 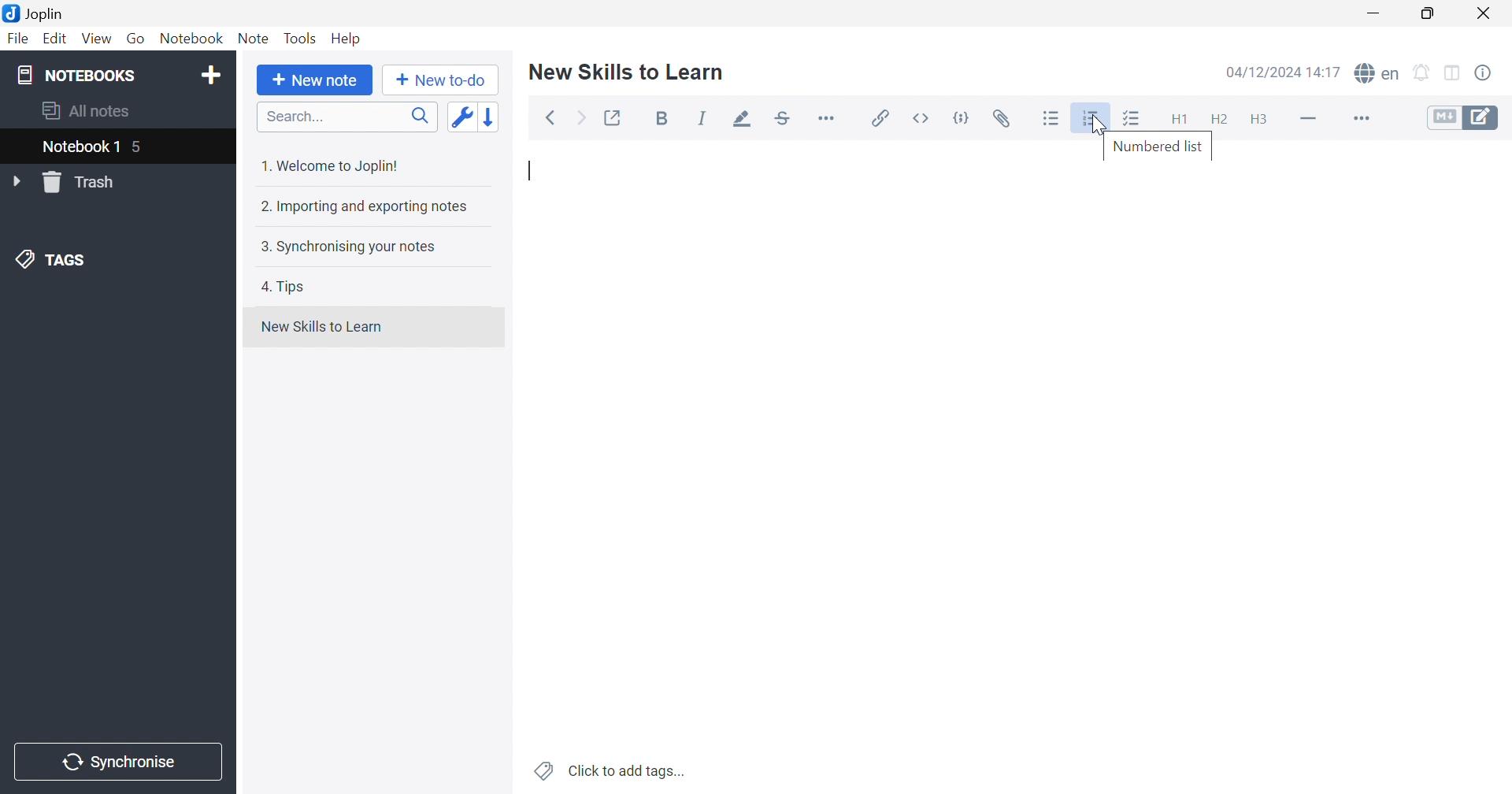 What do you see at coordinates (738, 121) in the screenshot?
I see `Highlight` at bounding box center [738, 121].